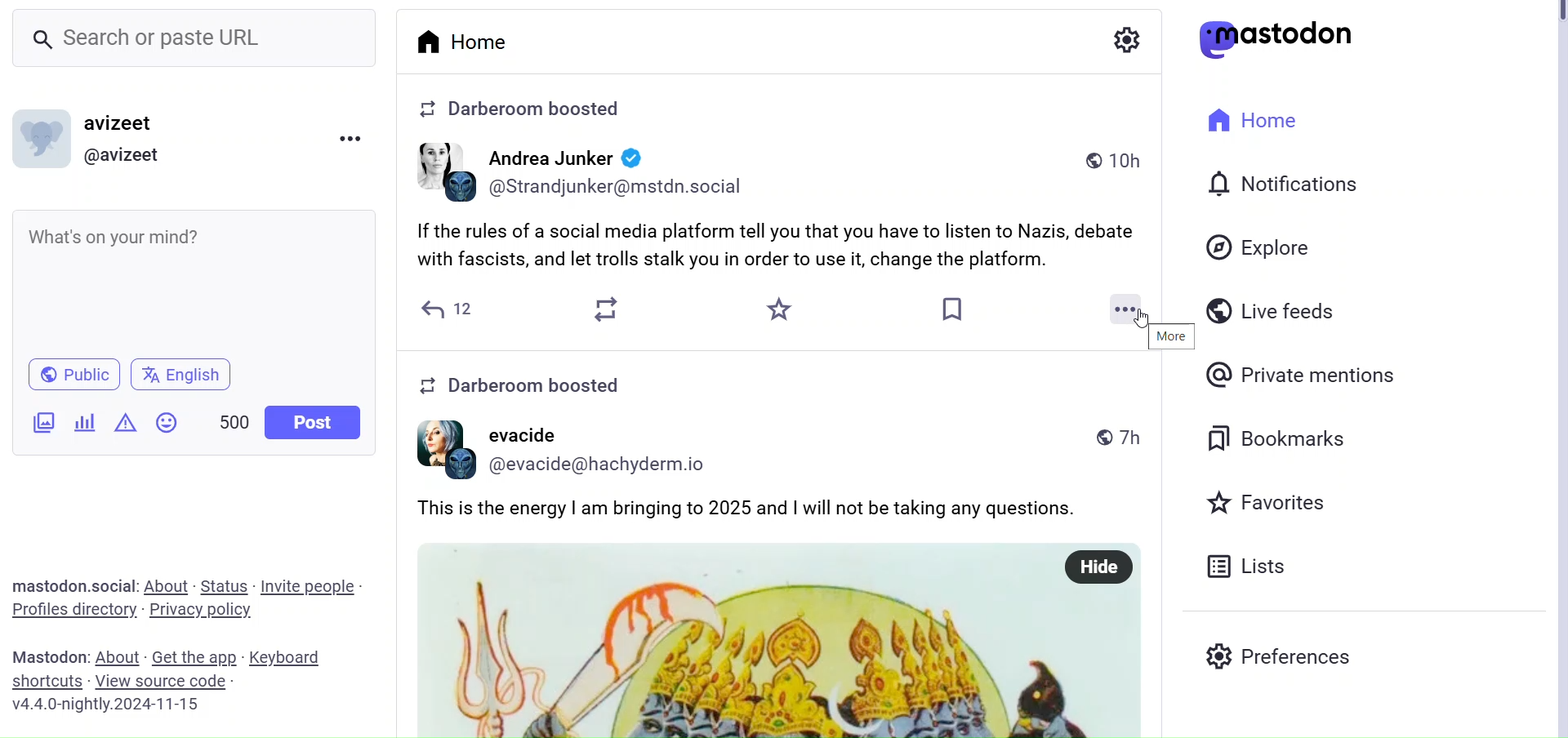 This screenshot has width=1568, height=738. What do you see at coordinates (1101, 566) in the screenshot?
I see `hide` at bounding box center [1101, 566].